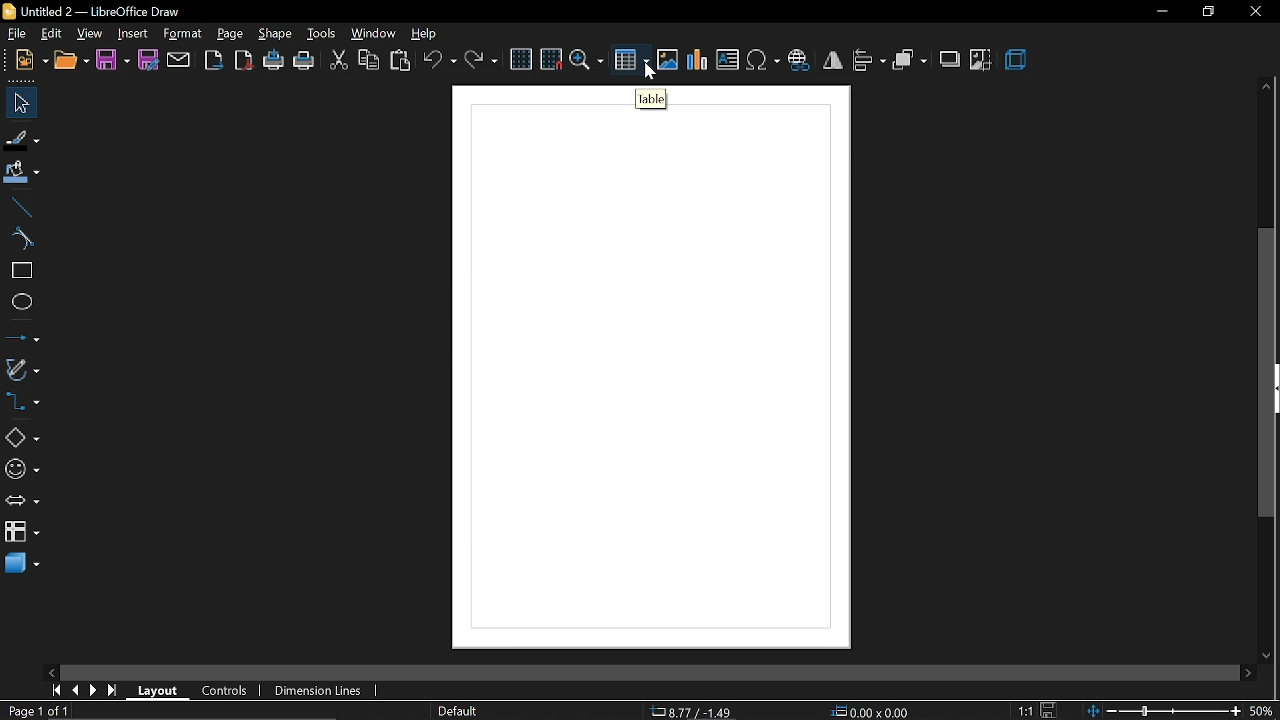 Image resolution: width=1280 pixels, height=720 pixels. Describe the element at coordinates (114, 689) in the screenshot. I see `go to last page` at that location.